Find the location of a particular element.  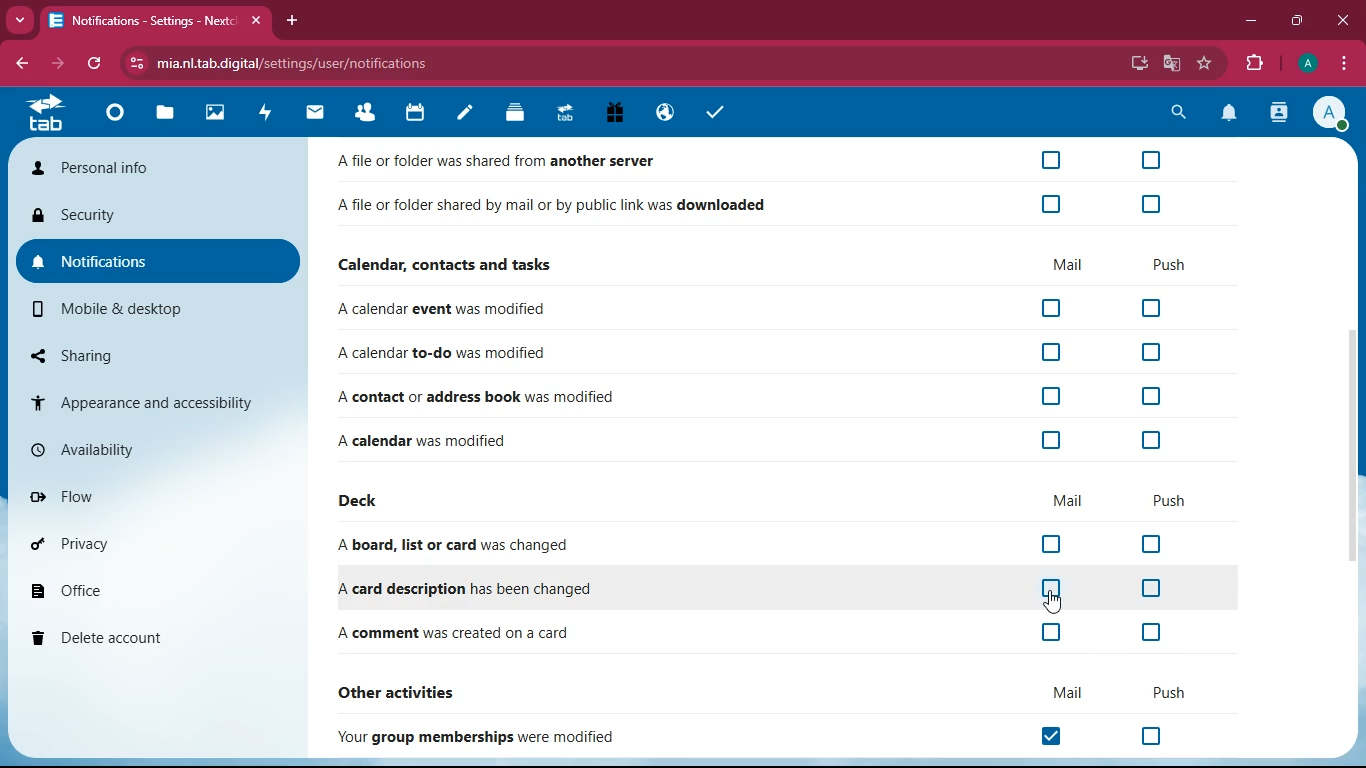

file is located at coordinates (162, 113).